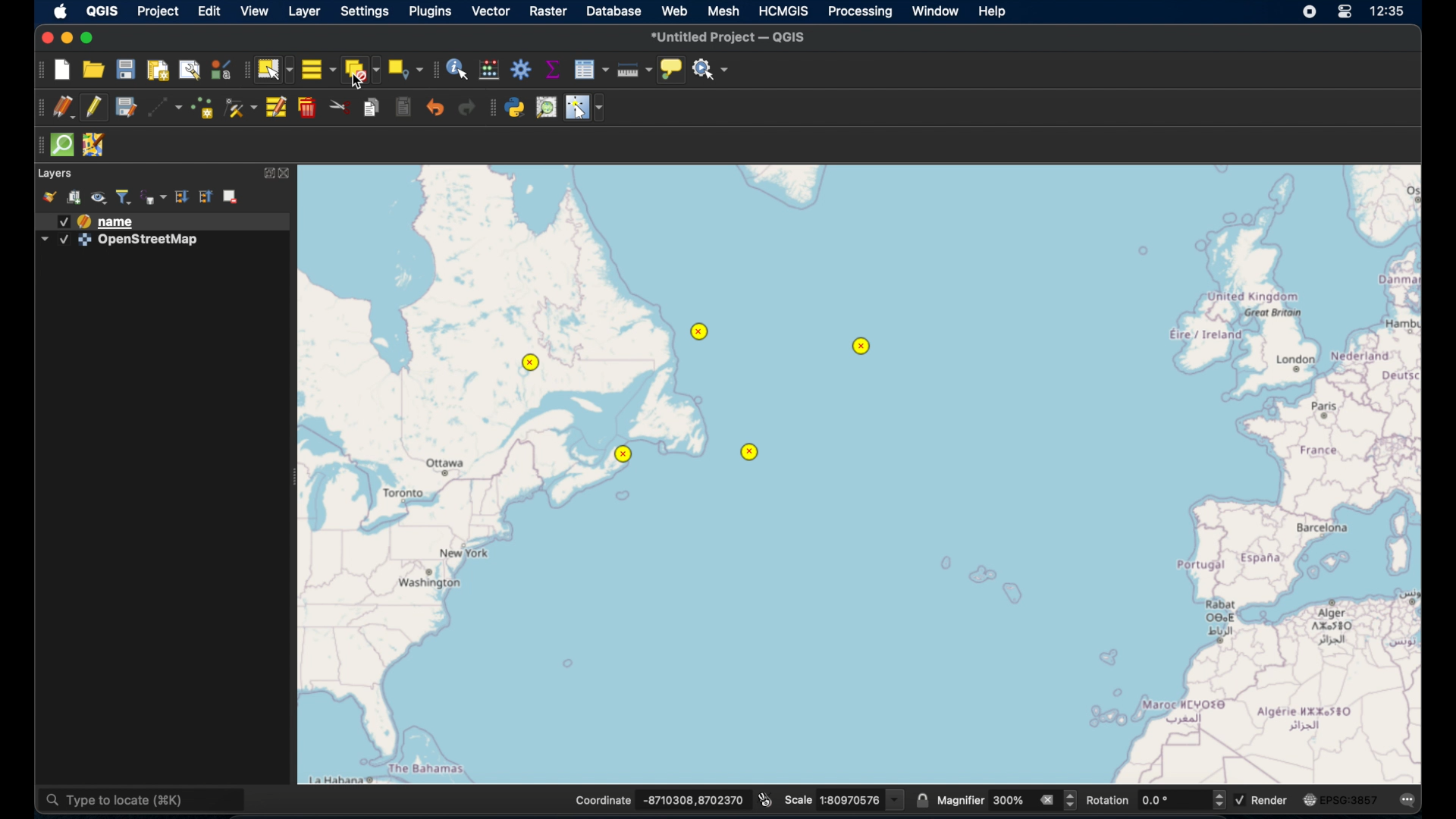  I want to click on close, so click(288, 173).